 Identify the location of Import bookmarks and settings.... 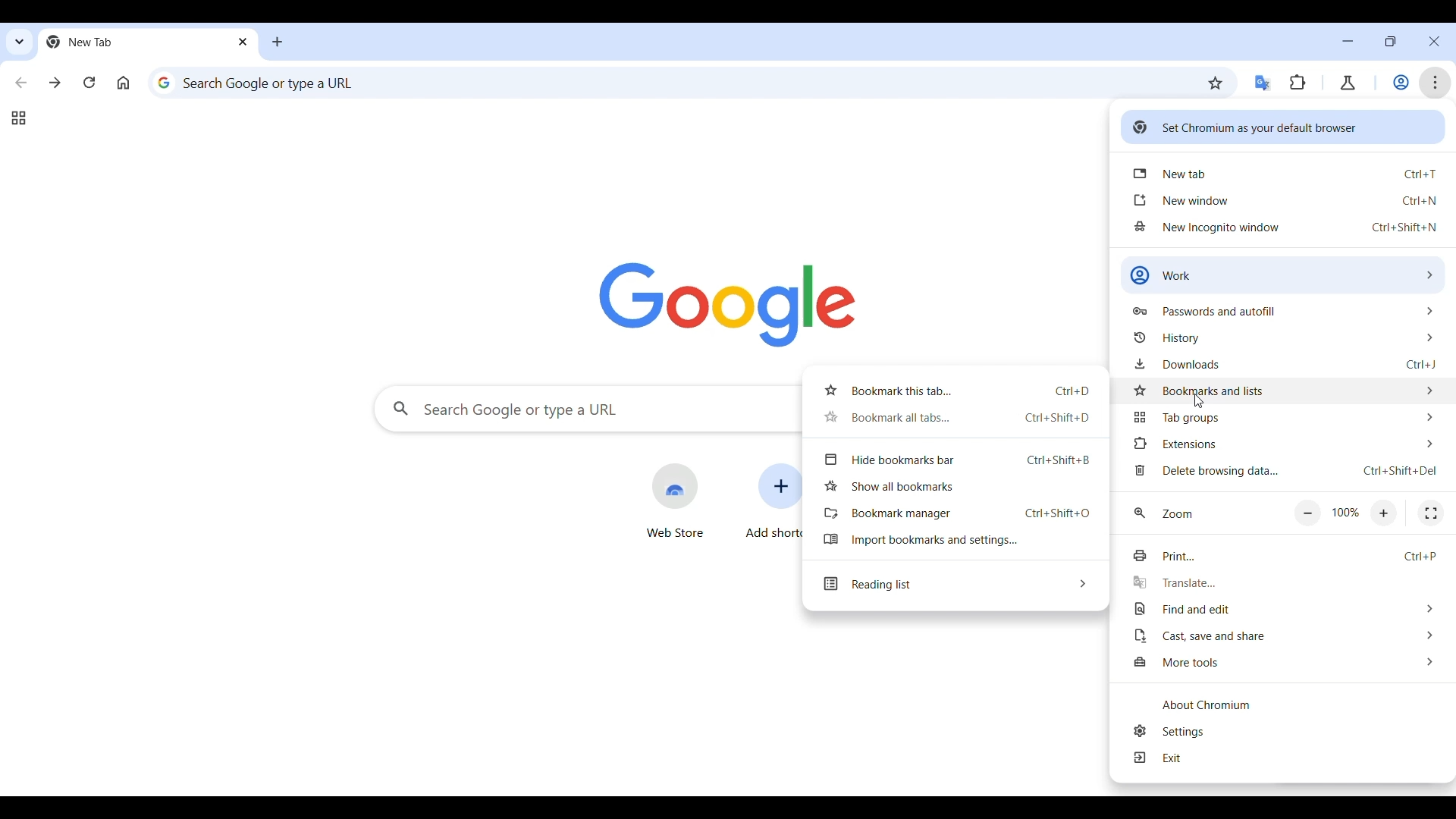
(954, 539).